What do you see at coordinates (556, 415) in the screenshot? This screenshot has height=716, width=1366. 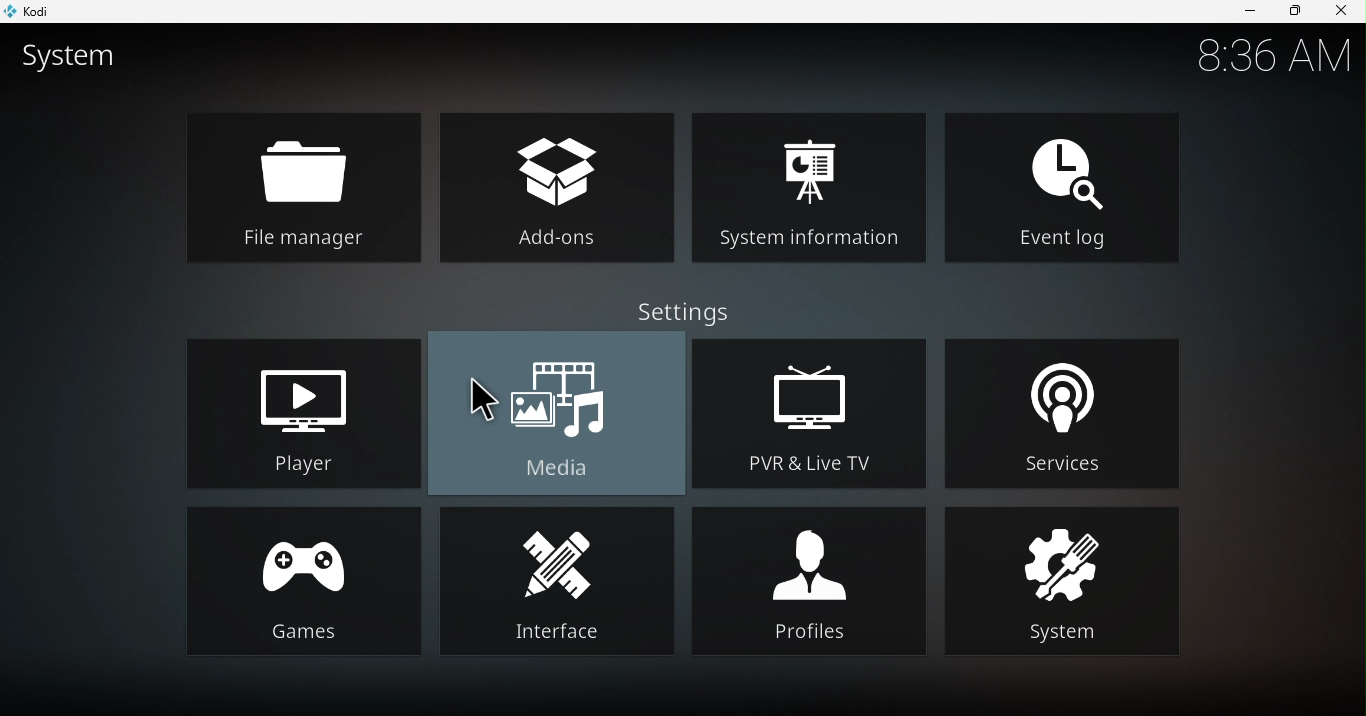 I see `Media` at bounding box center [556, 415].